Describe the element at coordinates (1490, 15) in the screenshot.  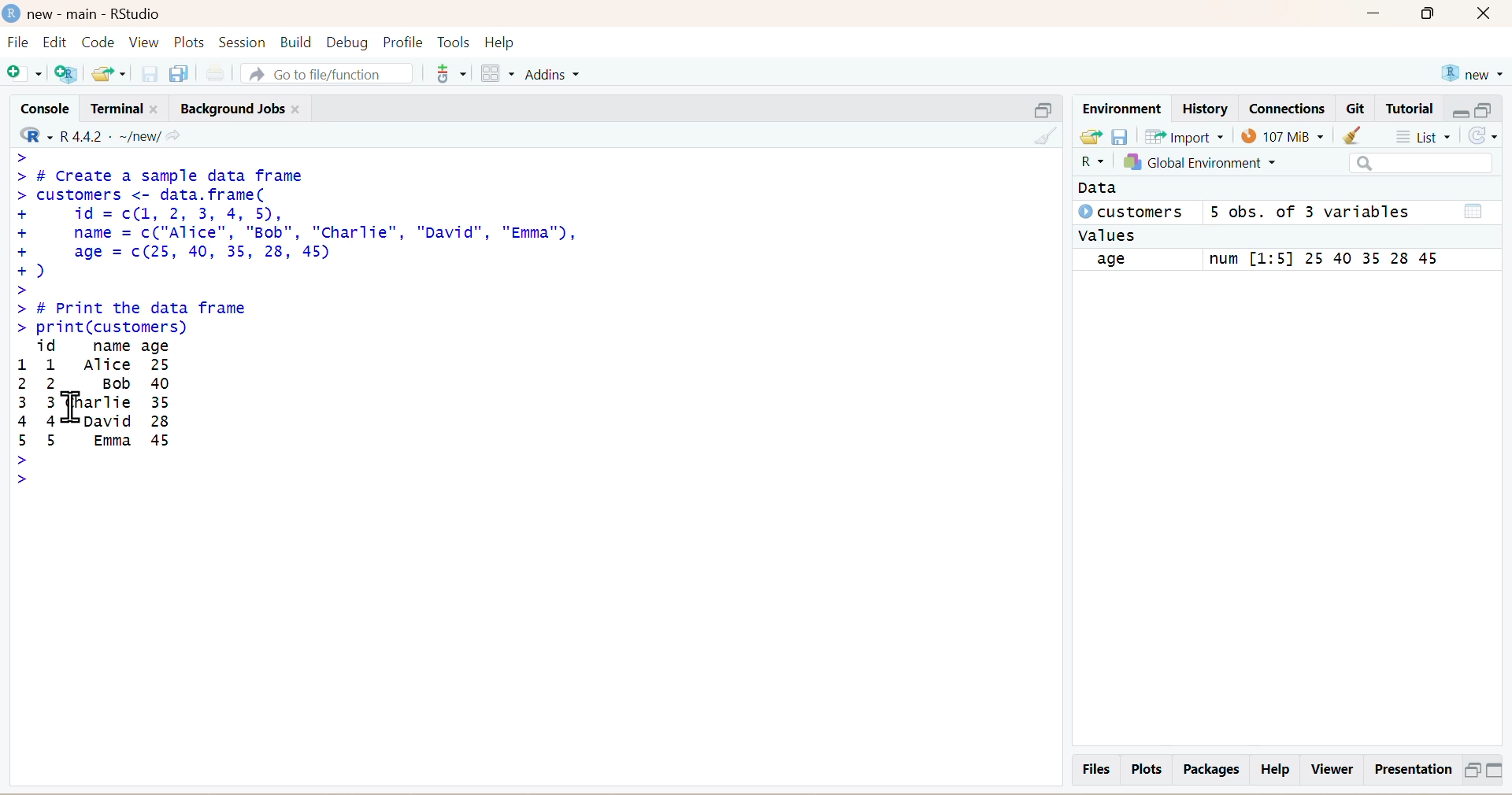
I see `close` at that location.